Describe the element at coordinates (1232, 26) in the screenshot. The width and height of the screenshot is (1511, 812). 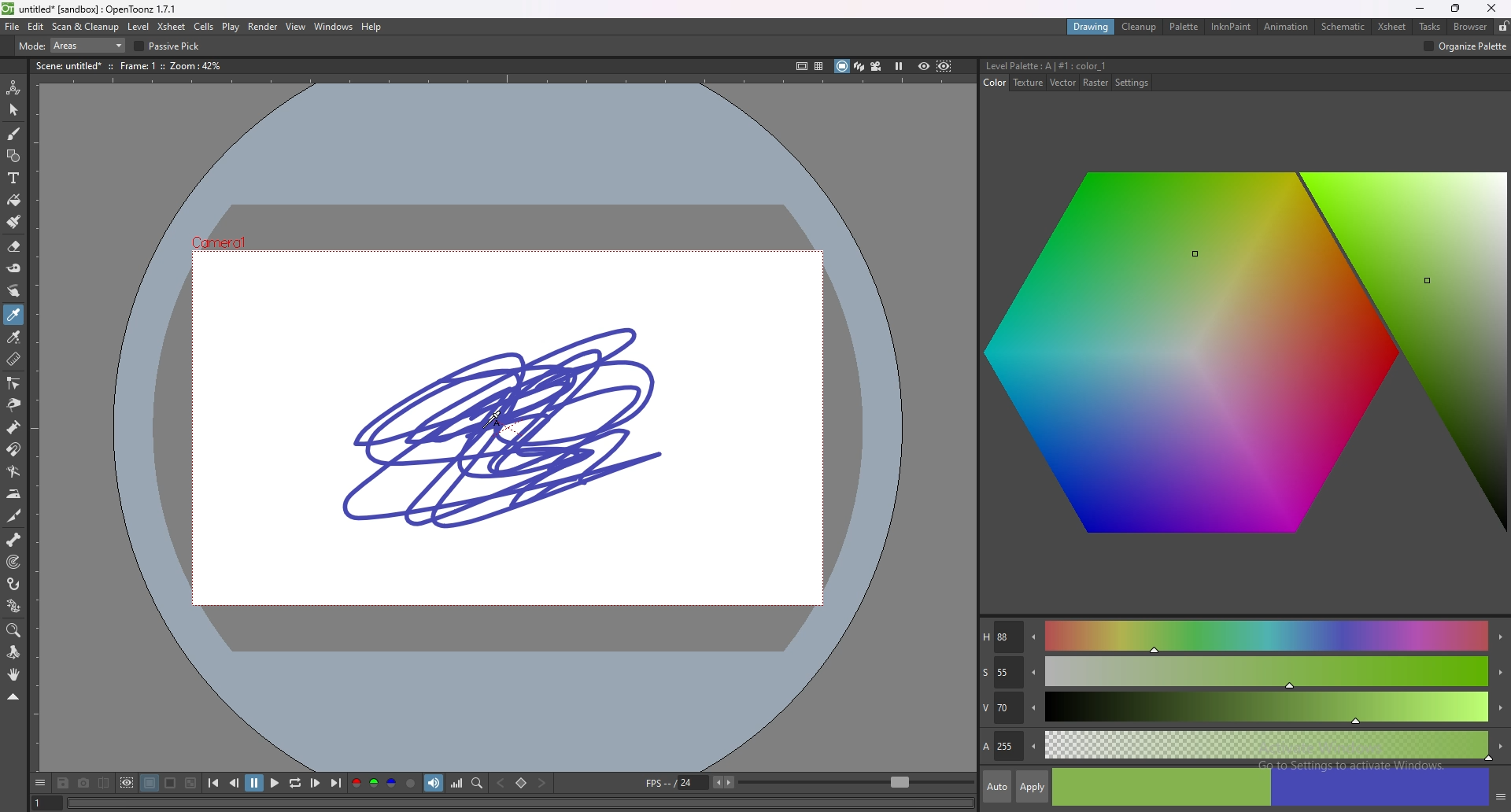
I see `inknpaint` at that location.